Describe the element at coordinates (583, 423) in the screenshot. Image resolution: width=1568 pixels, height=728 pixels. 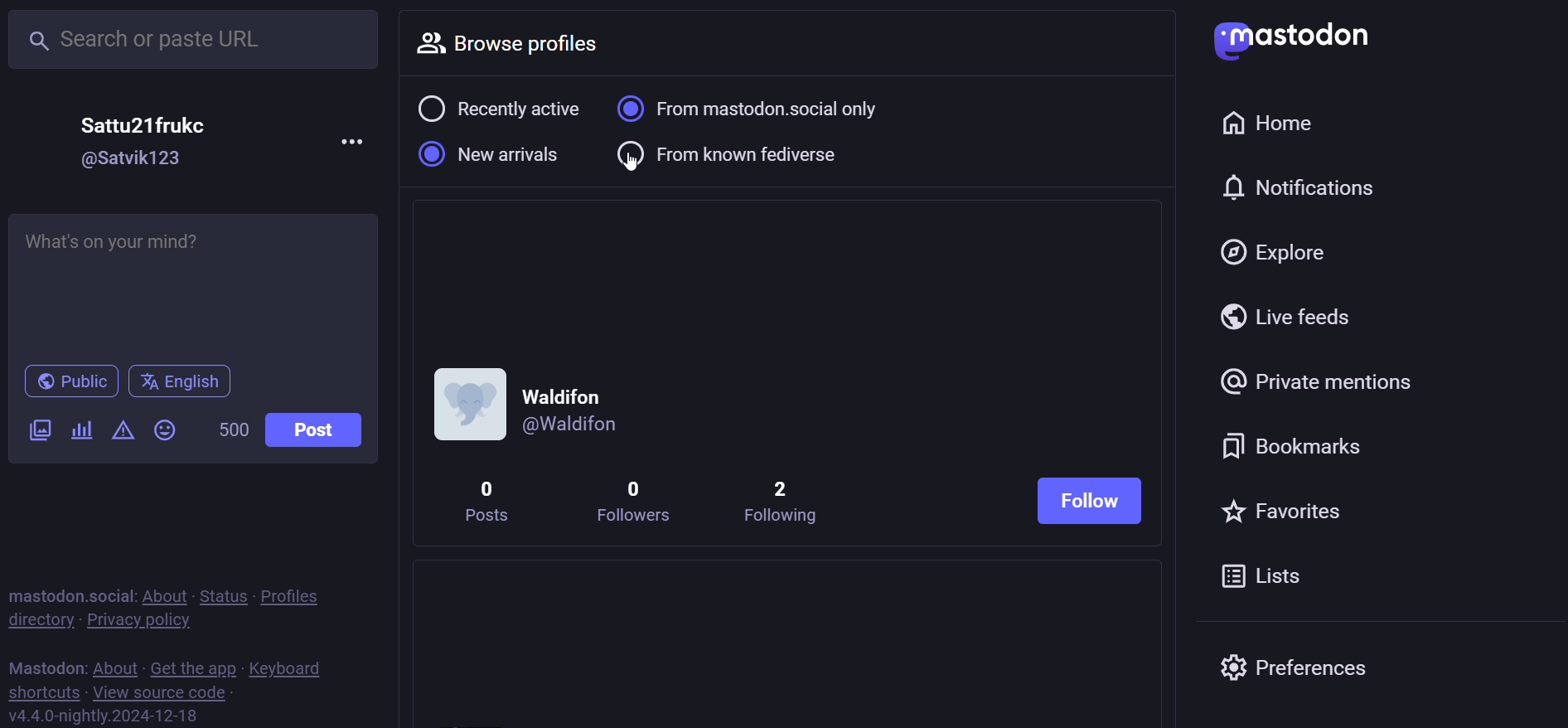
I see `@Waldifon` at that location.